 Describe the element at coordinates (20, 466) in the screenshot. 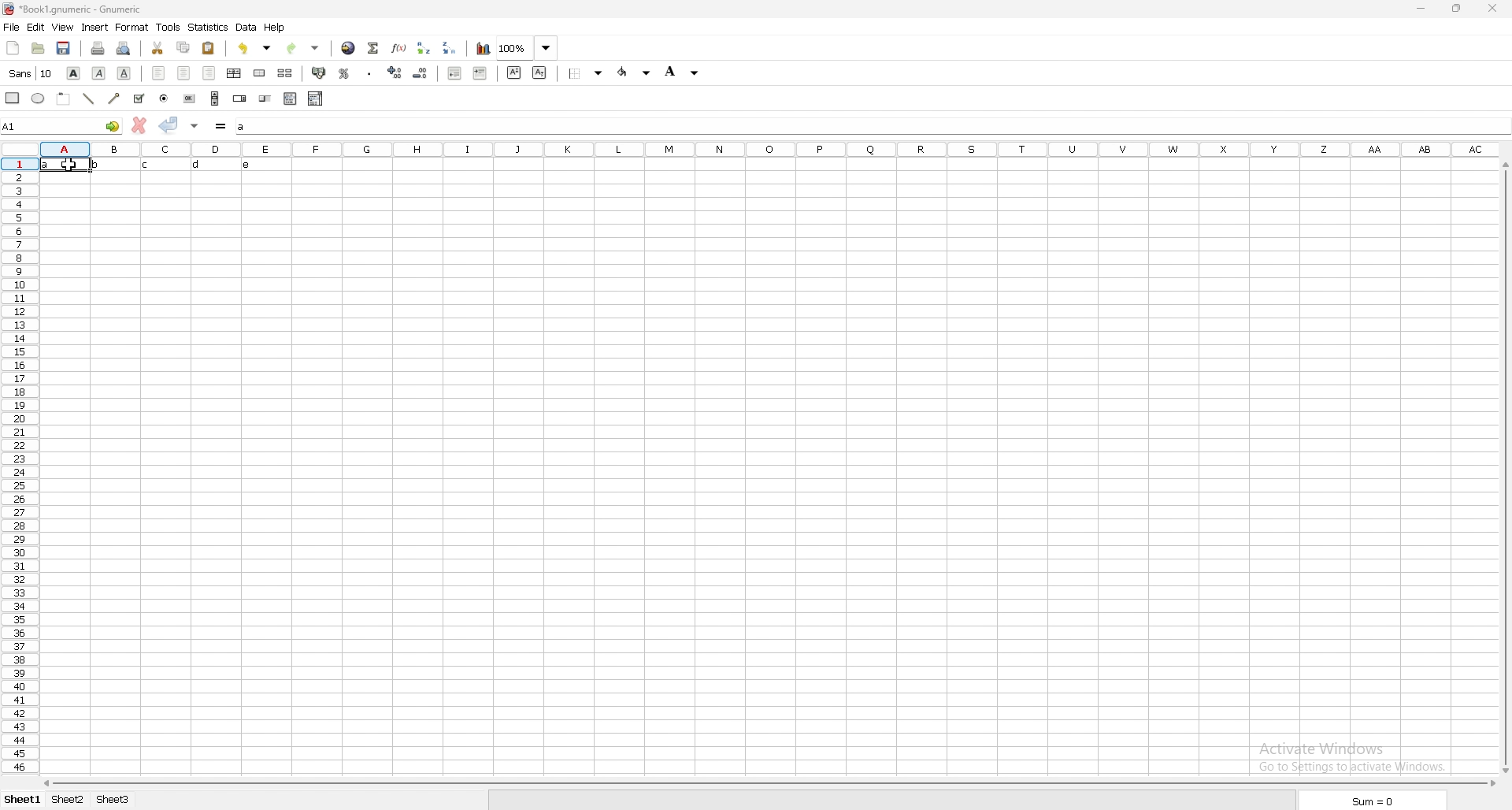

I see `rows` at that location.